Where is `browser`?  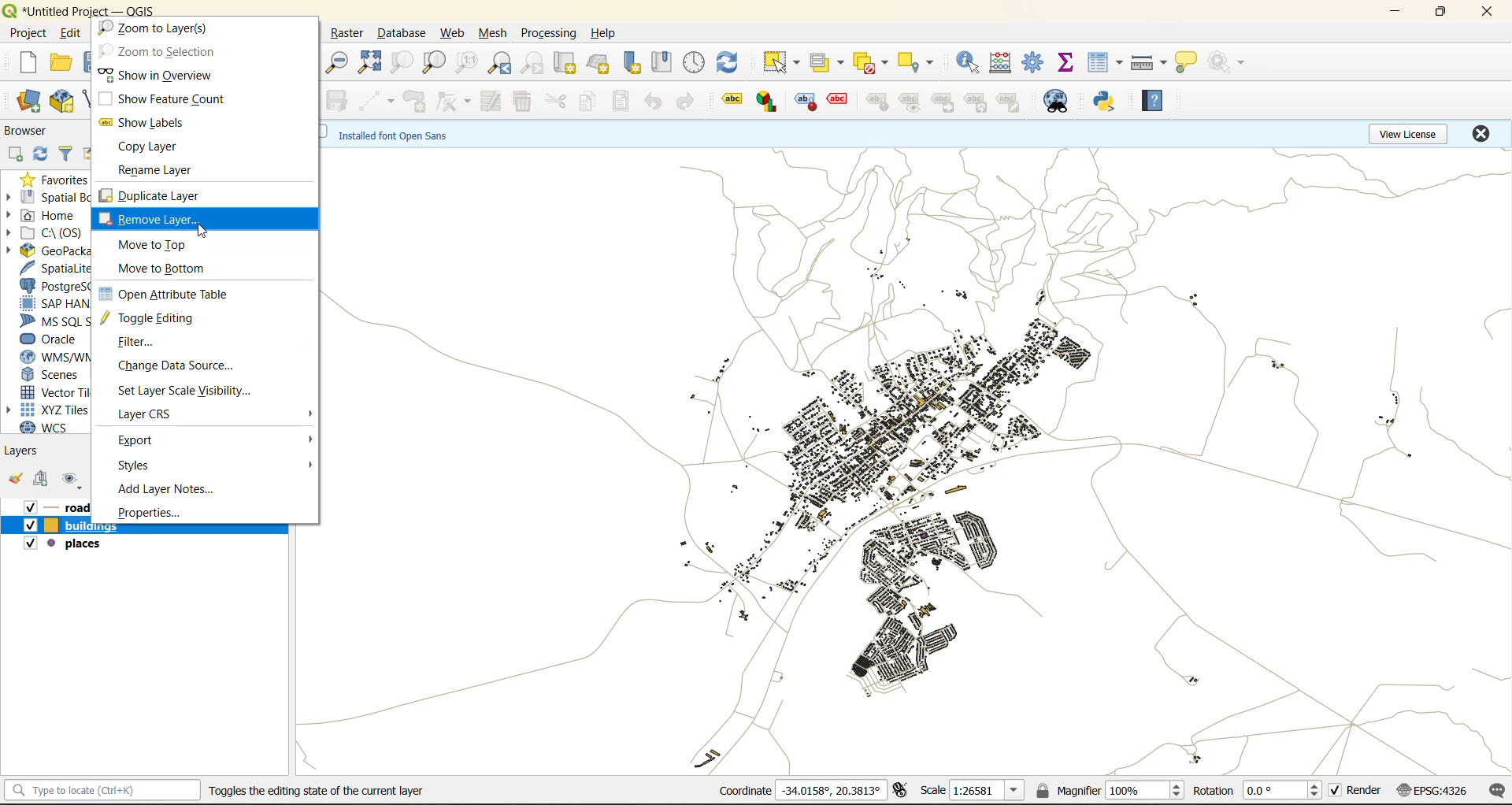
browser is located at coordinates (33, 131).